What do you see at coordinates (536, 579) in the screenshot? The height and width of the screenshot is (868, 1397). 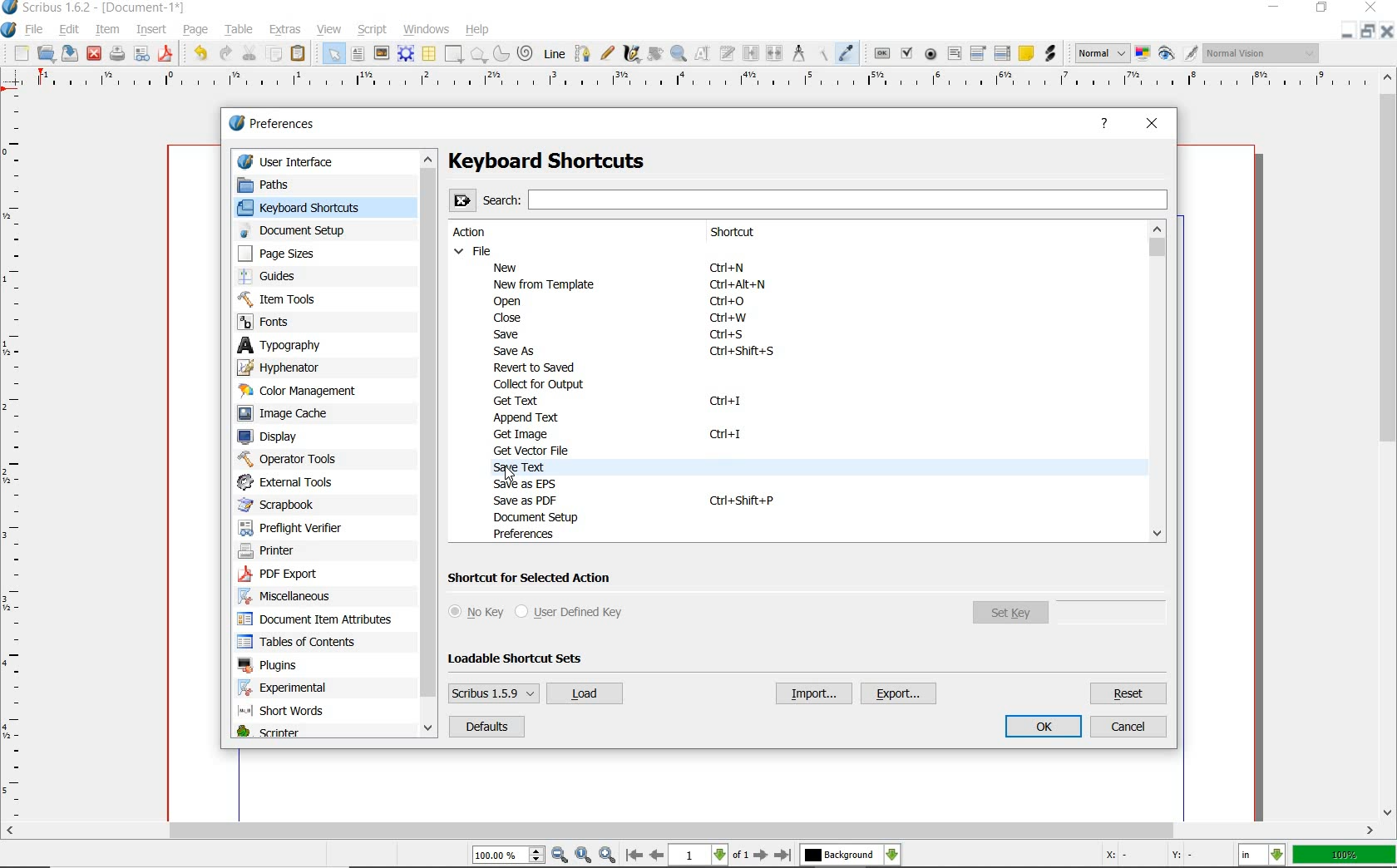 I see `shortcut for selected action` at bounding box center [536, 579].